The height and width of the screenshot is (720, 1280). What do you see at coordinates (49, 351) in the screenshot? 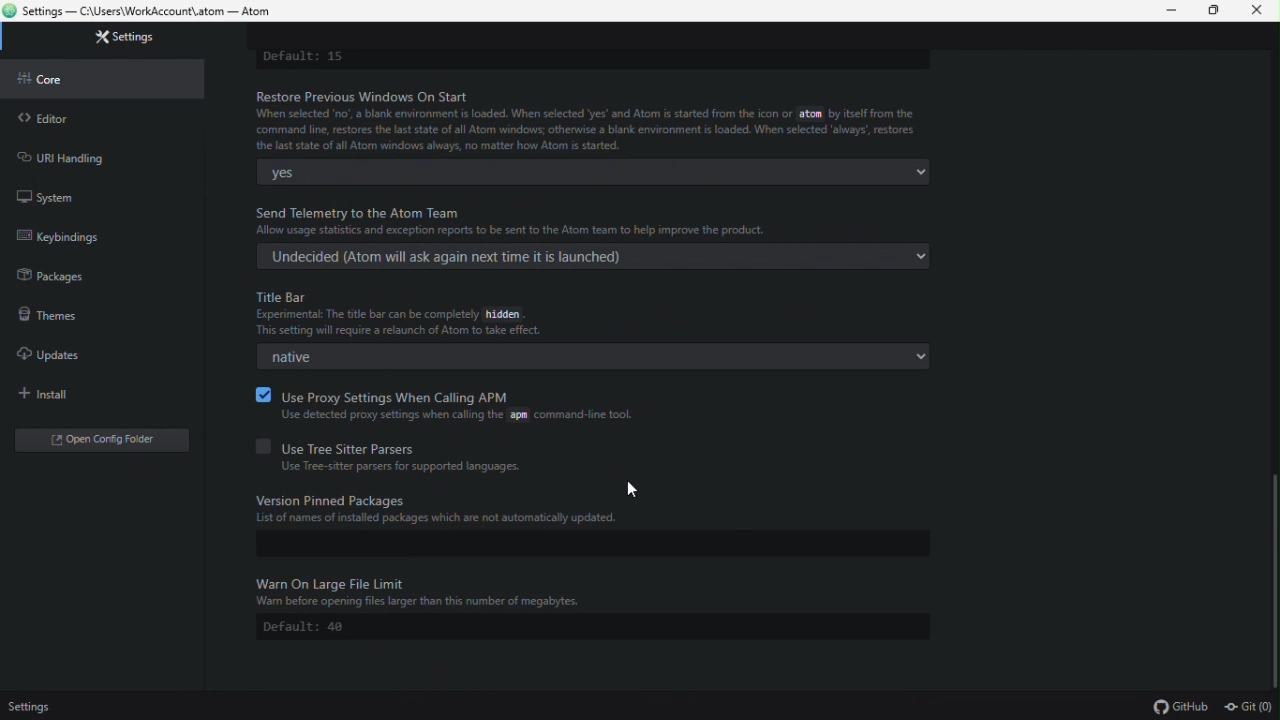
I see `updates` at bounding box center [49, 351].